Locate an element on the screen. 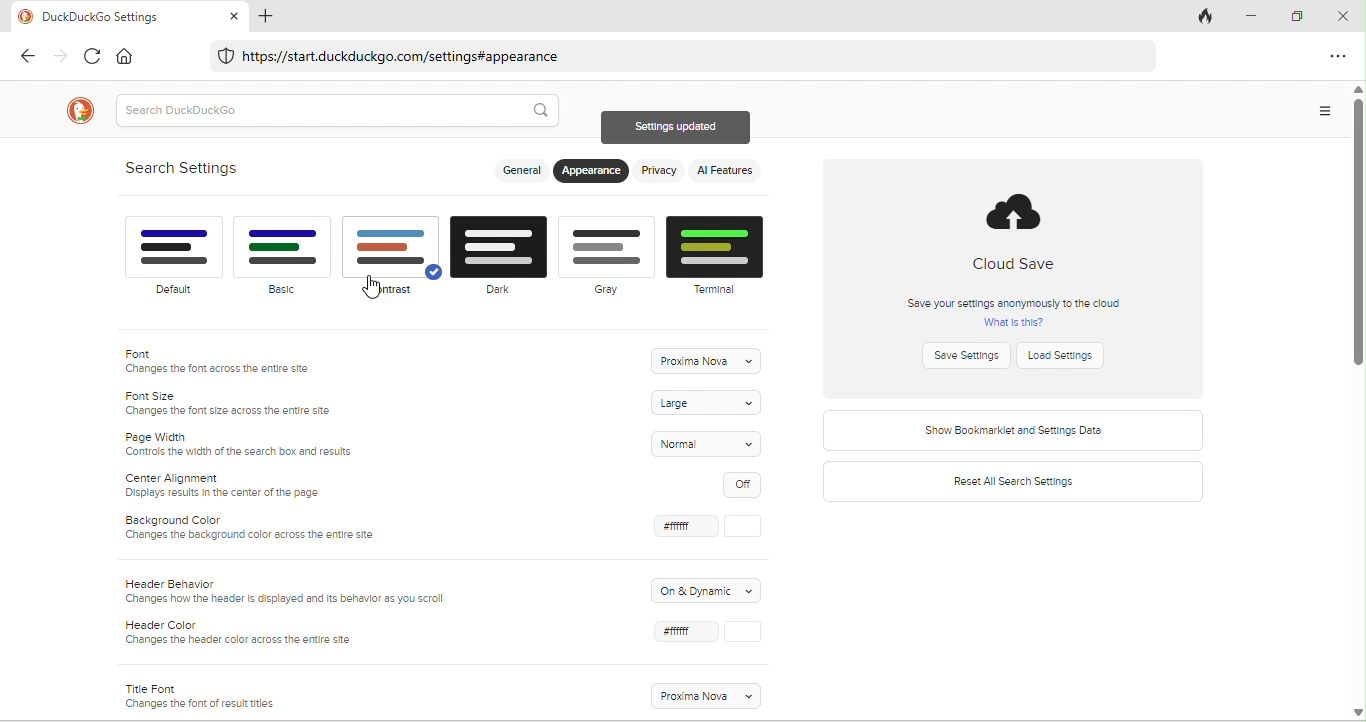 The image size is (1366, 722). background color is located at coordinates (263, 532).